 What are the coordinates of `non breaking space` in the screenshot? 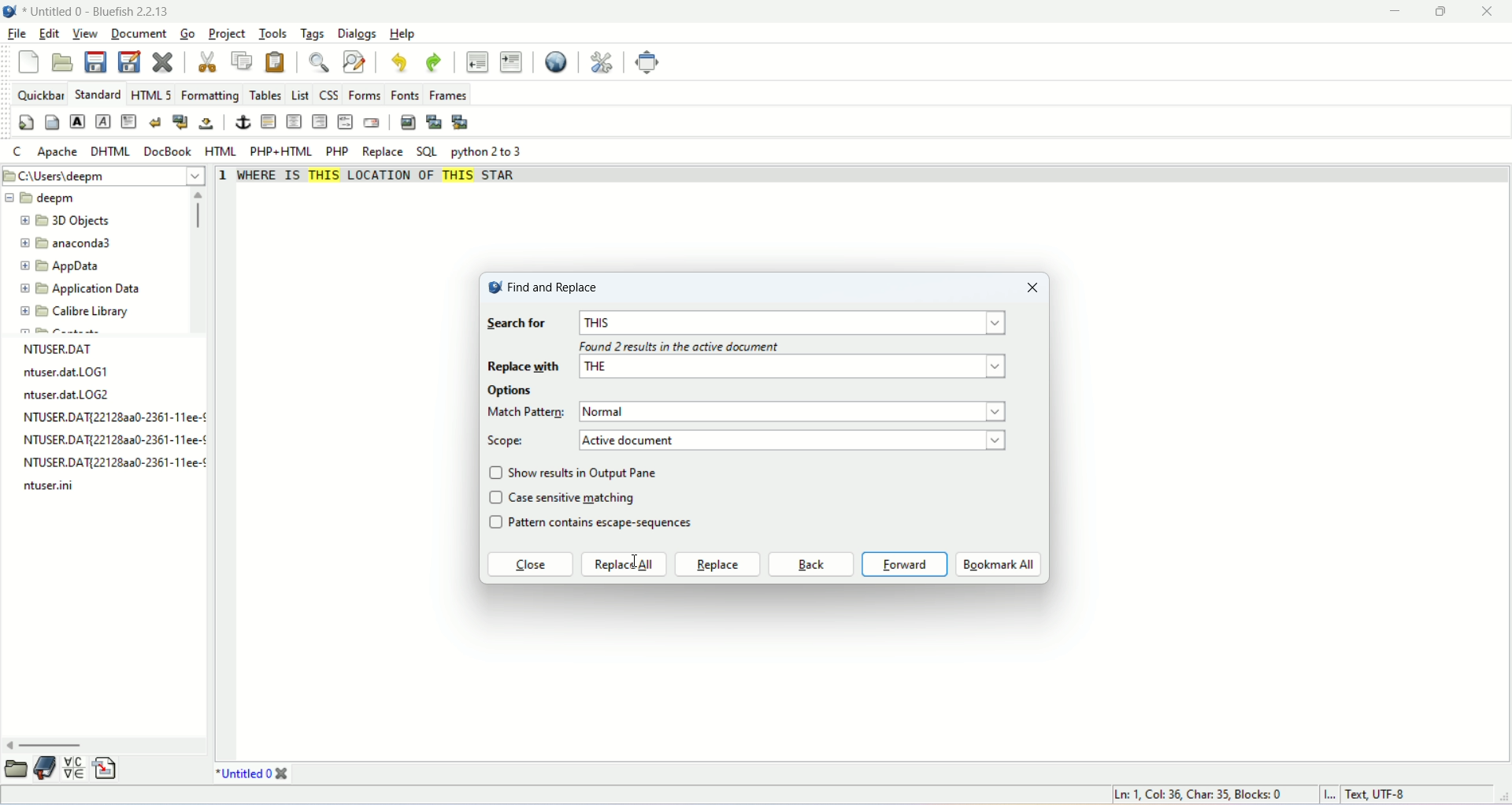 It's located at (205, 124).